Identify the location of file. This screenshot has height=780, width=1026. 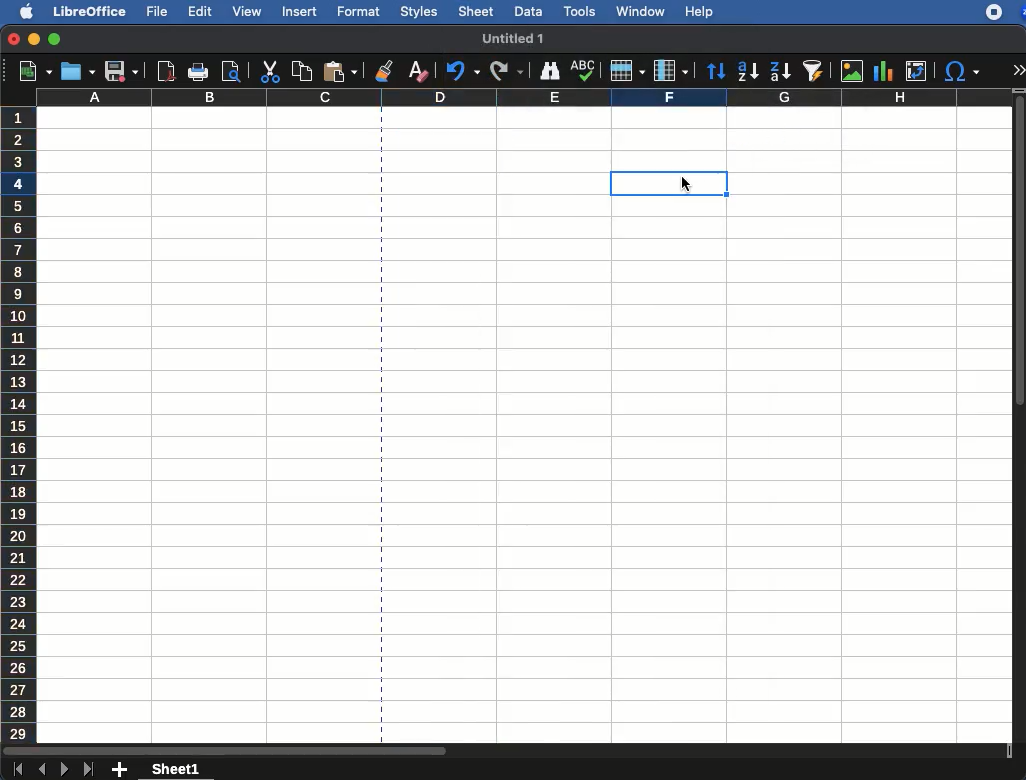
(159, 12).